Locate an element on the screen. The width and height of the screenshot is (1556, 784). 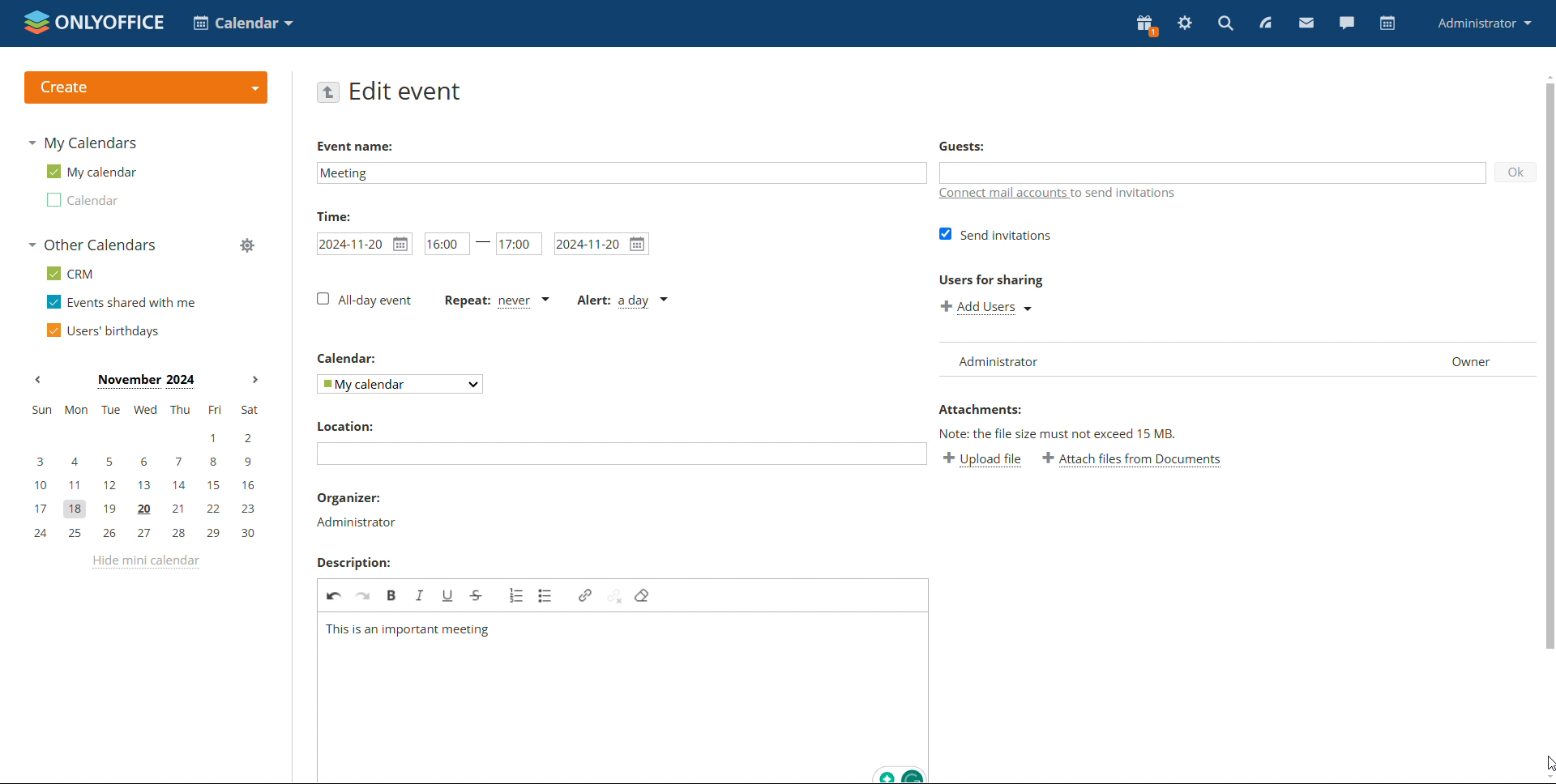
redo is located at coordinates (362, 596).